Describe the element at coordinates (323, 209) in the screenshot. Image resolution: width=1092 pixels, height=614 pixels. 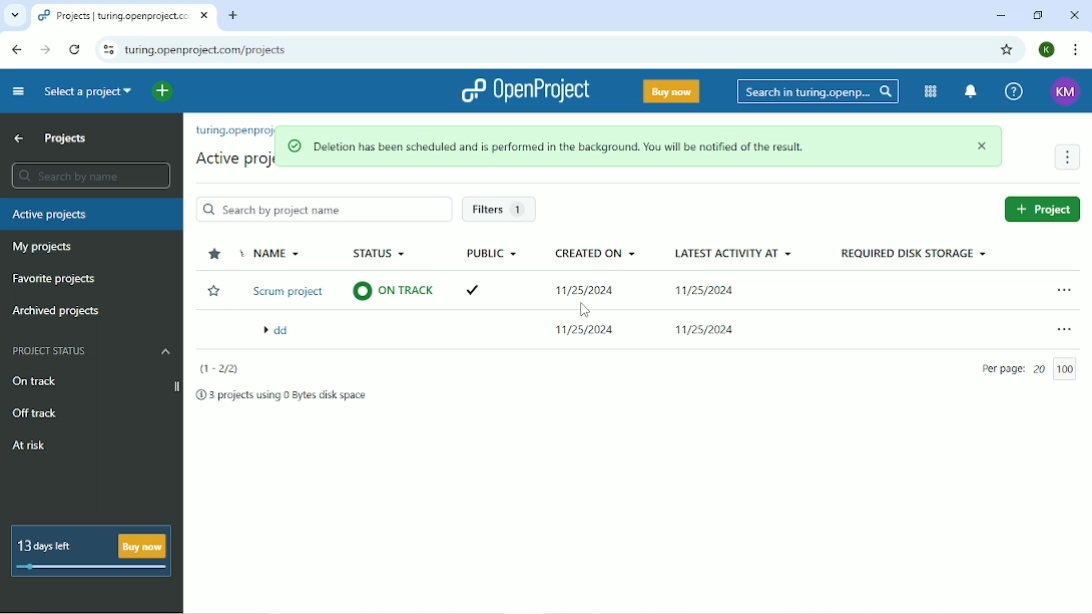
I see `Search by project name` at that location.